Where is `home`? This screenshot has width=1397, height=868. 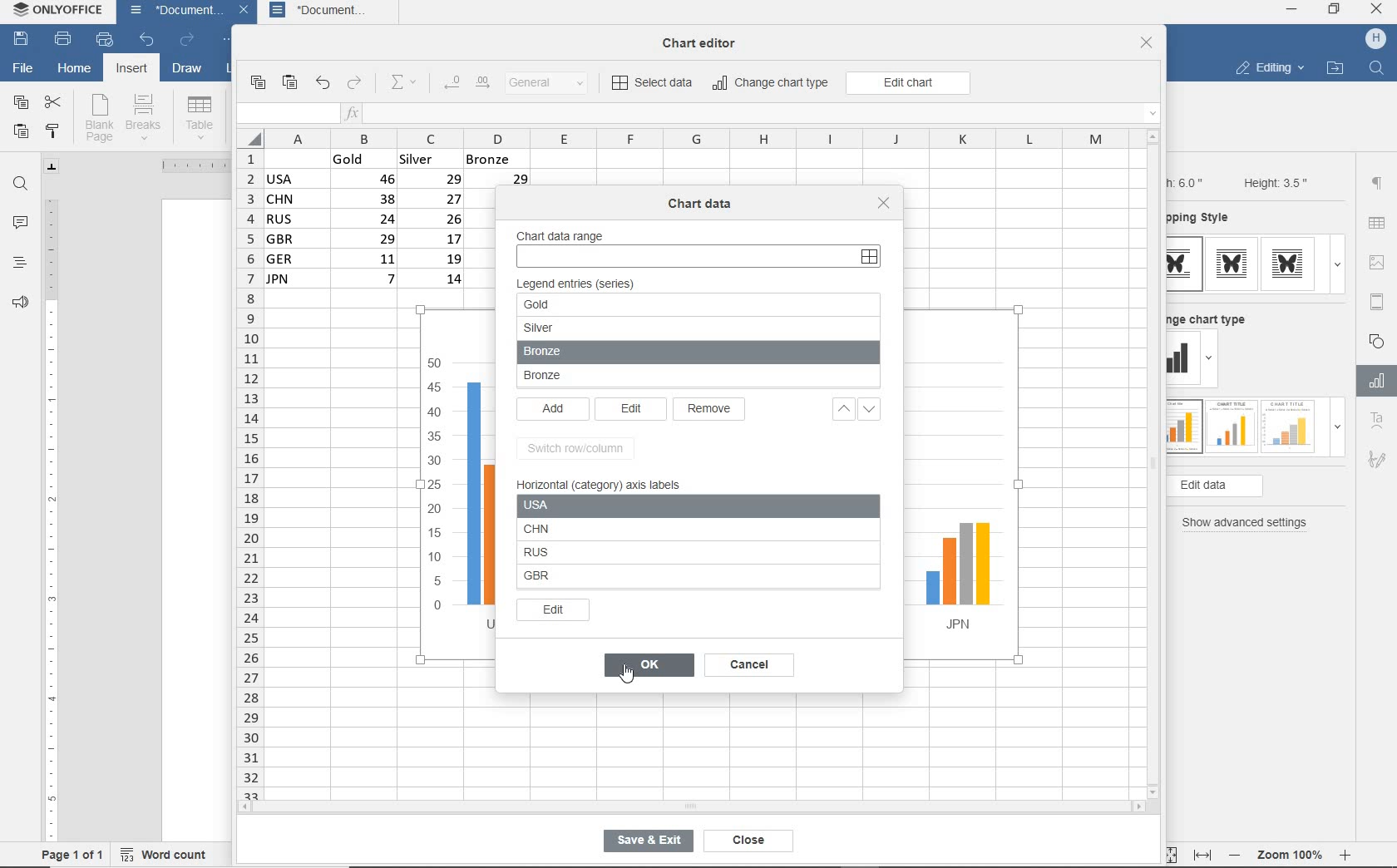
home is located at coordinates (74, 71).